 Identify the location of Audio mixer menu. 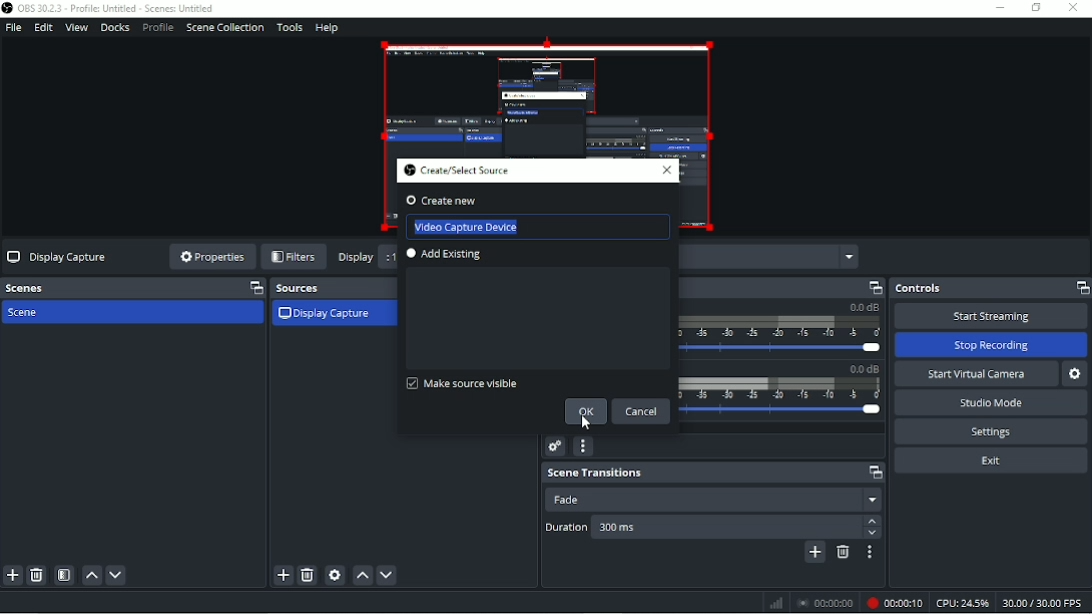
(583, 447).